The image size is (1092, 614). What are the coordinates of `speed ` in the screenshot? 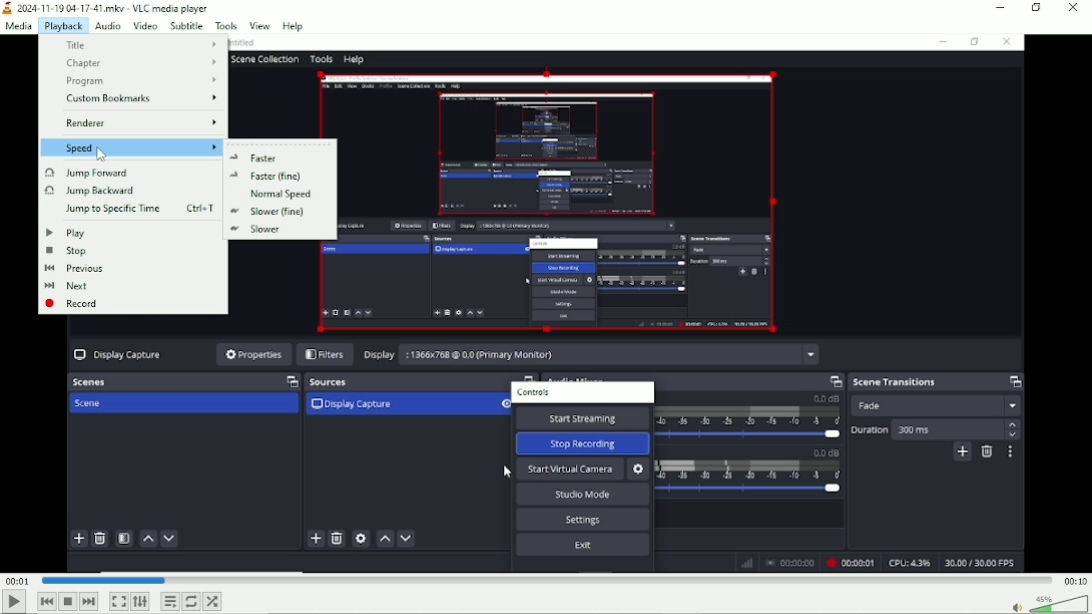 It's located at (130, 146).